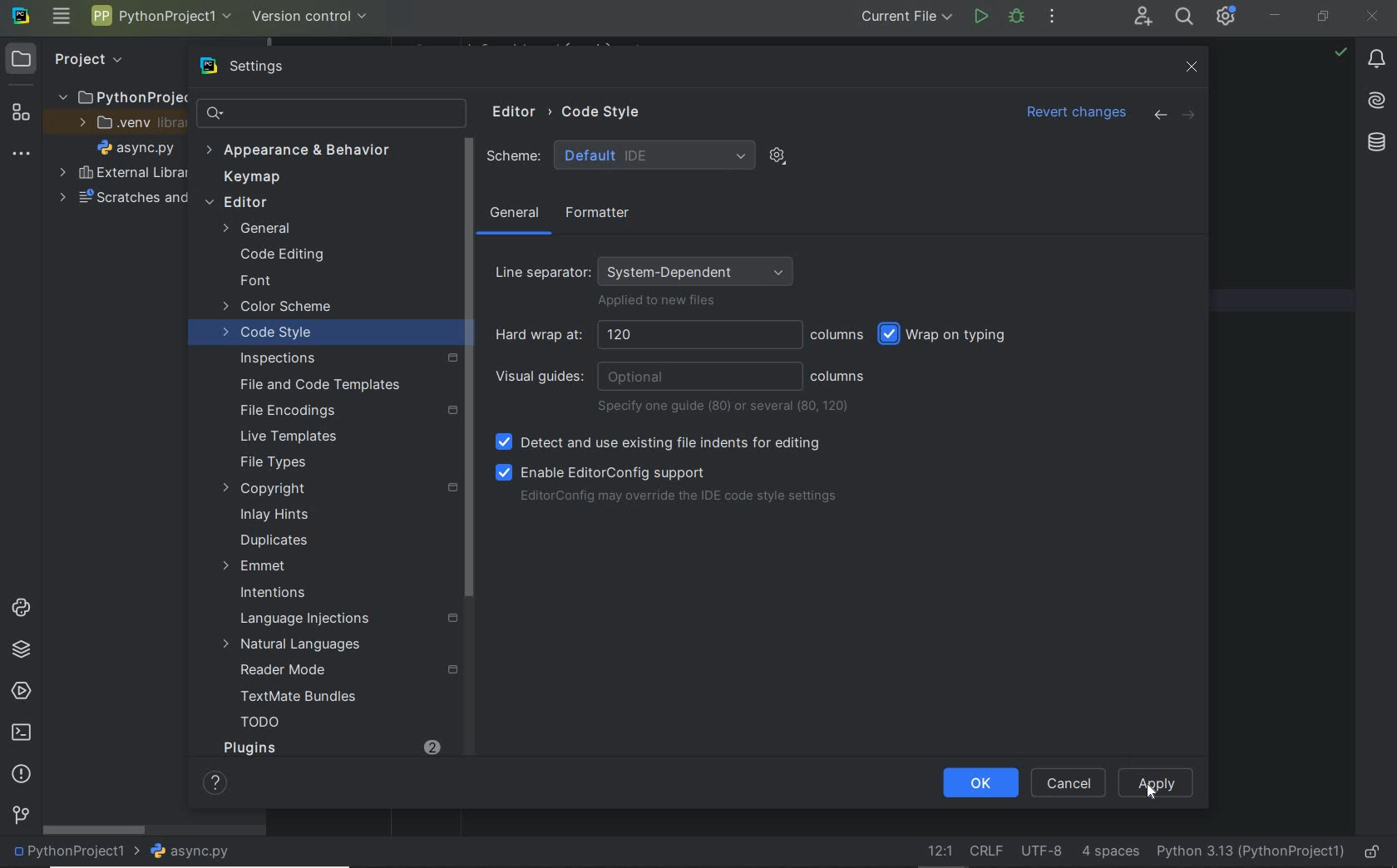 Image resolution: width=1397 pixels, height=868 pixels. What do you see at coordinates (648, 267) in the screenshot?
I see `Line separator` at bounding box center [648, 267].